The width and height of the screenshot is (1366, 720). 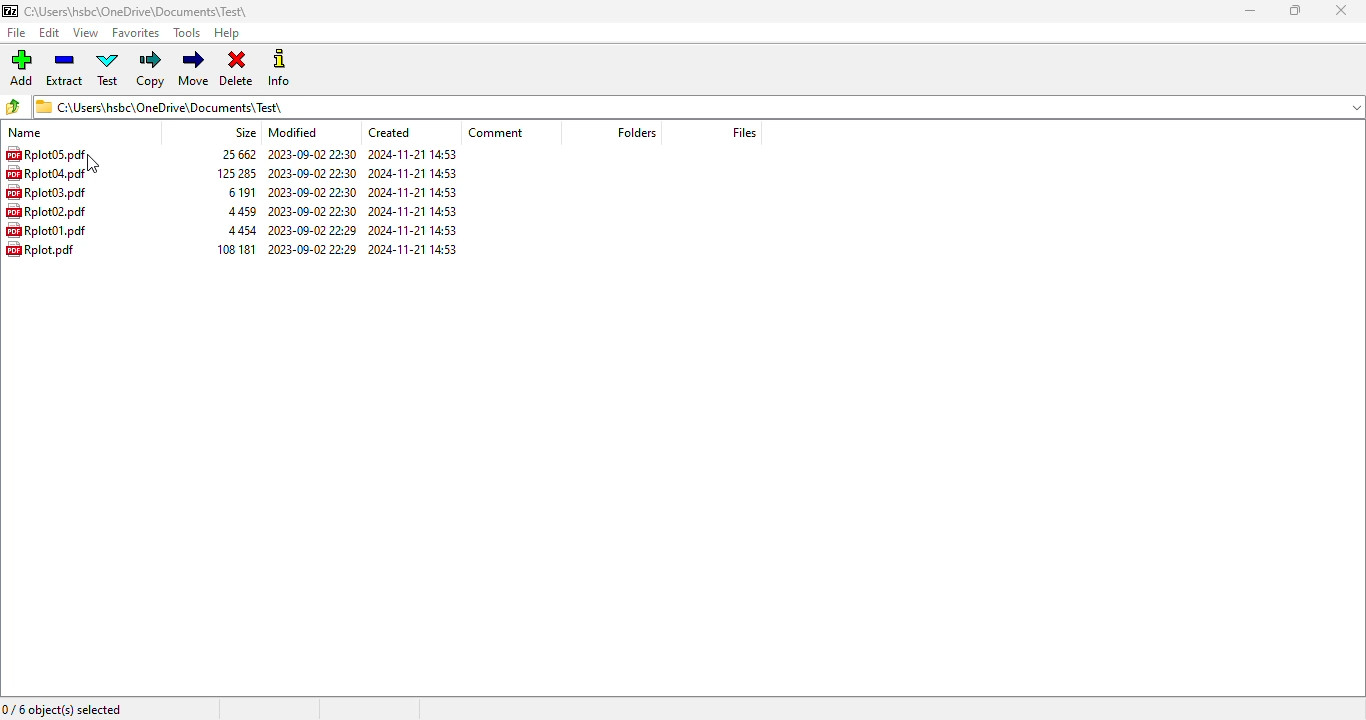 What do you see at coordinates (188, 33) in the screenshot?
I see `tools` at bounding box center [188, 33].